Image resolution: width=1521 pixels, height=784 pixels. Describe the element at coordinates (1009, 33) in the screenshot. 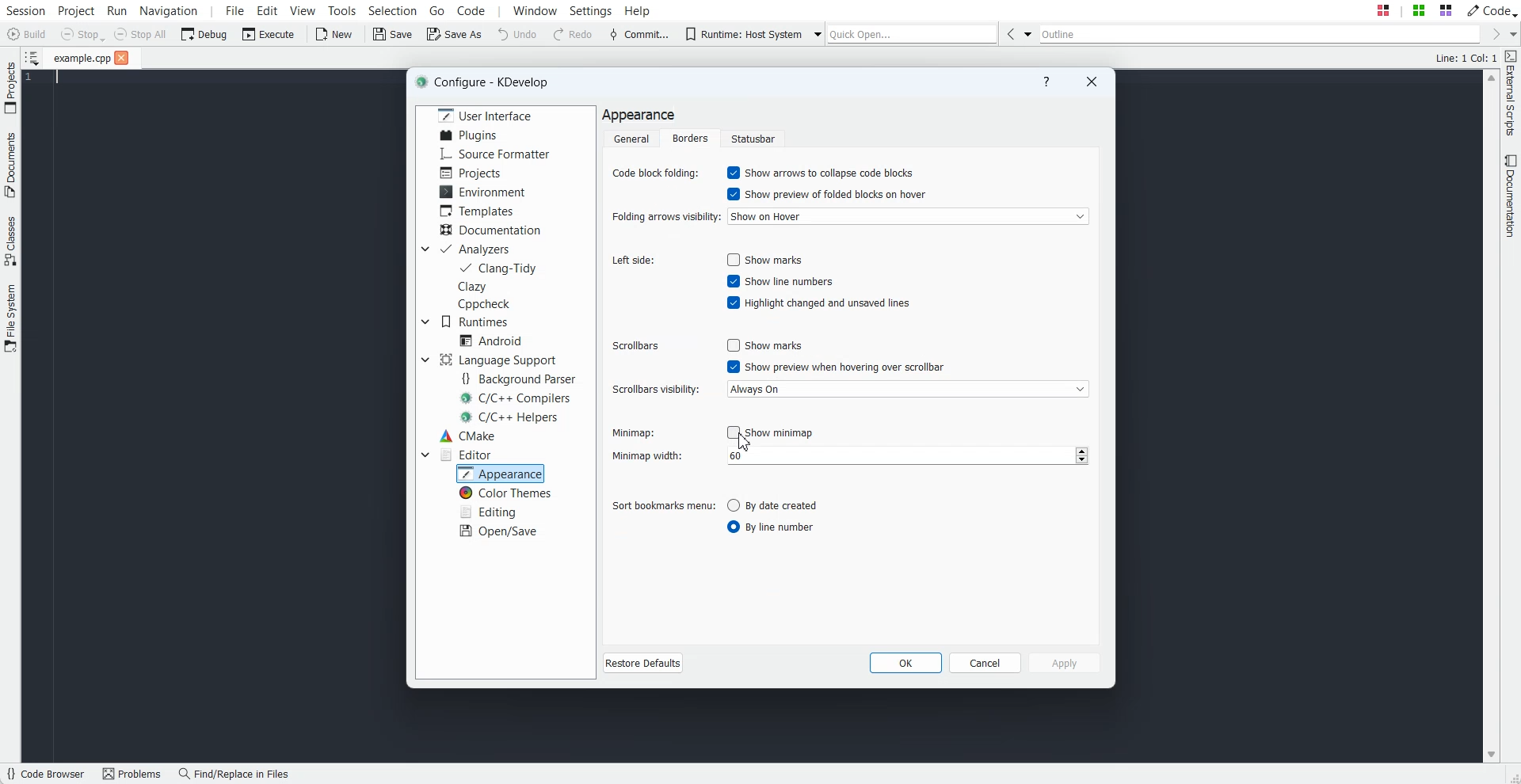

I see `Go Back` at that location.